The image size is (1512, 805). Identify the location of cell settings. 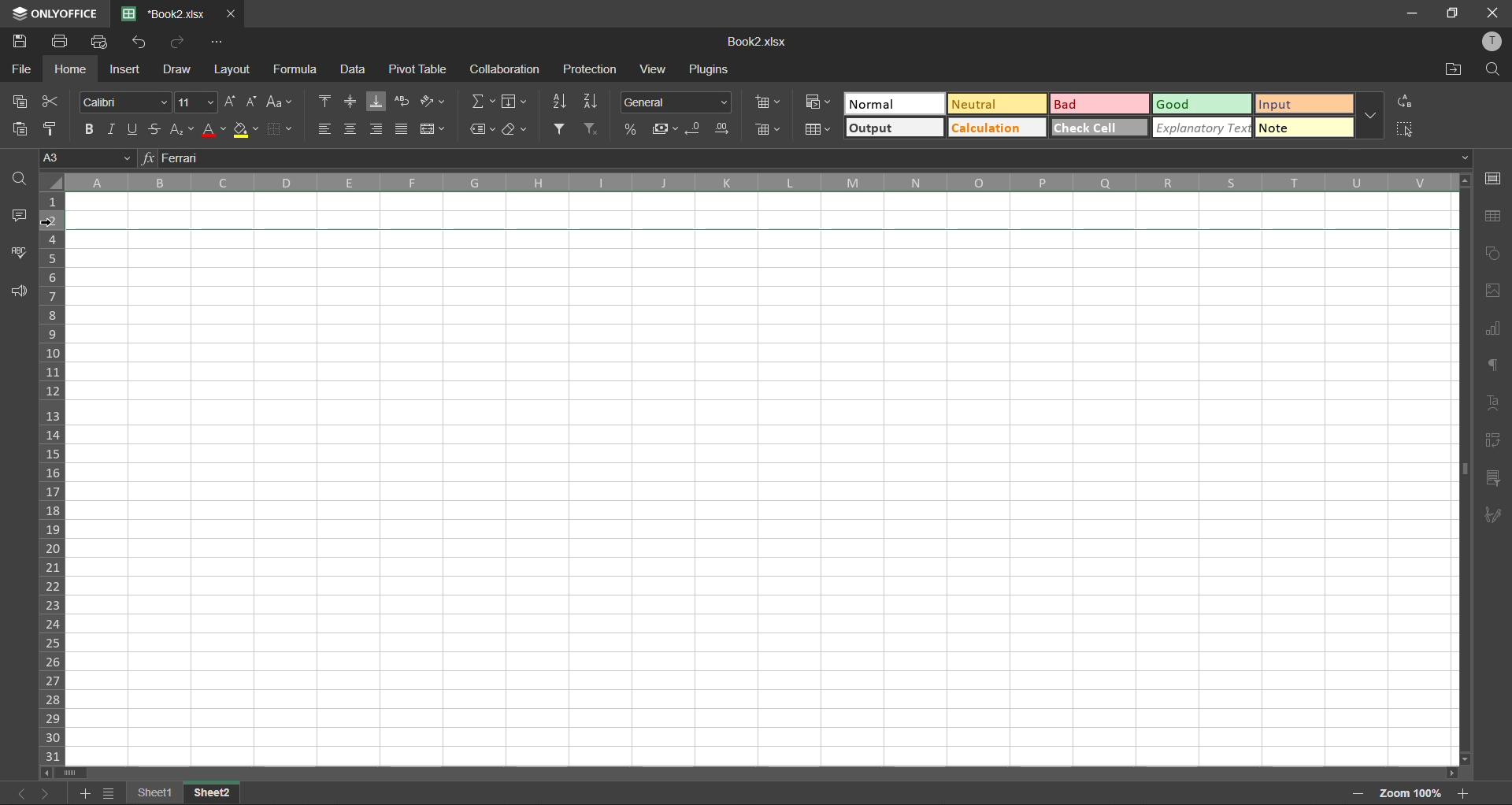
(1492, 180).